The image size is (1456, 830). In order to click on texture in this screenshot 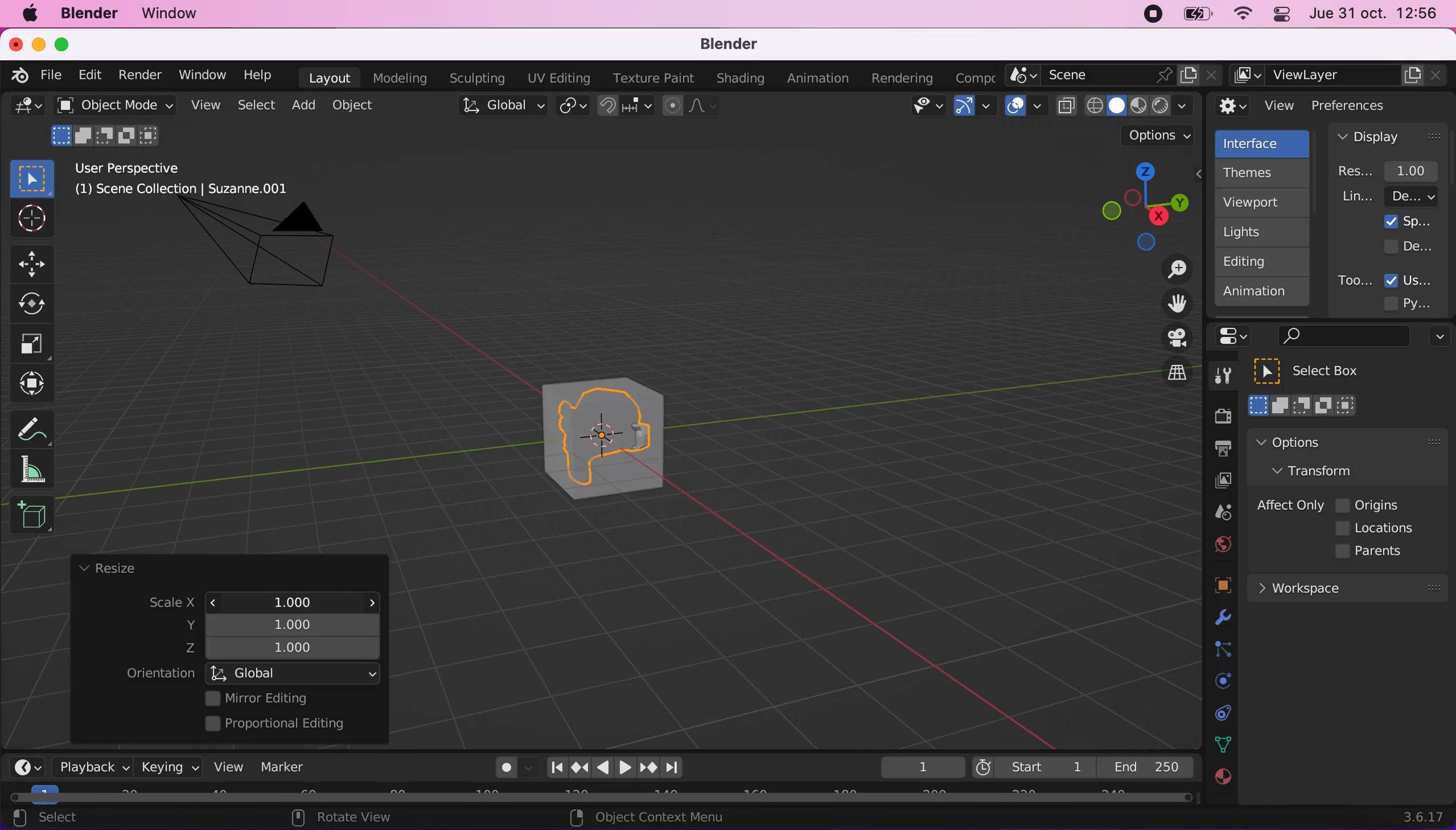, I will do `click(1221, 783)`.